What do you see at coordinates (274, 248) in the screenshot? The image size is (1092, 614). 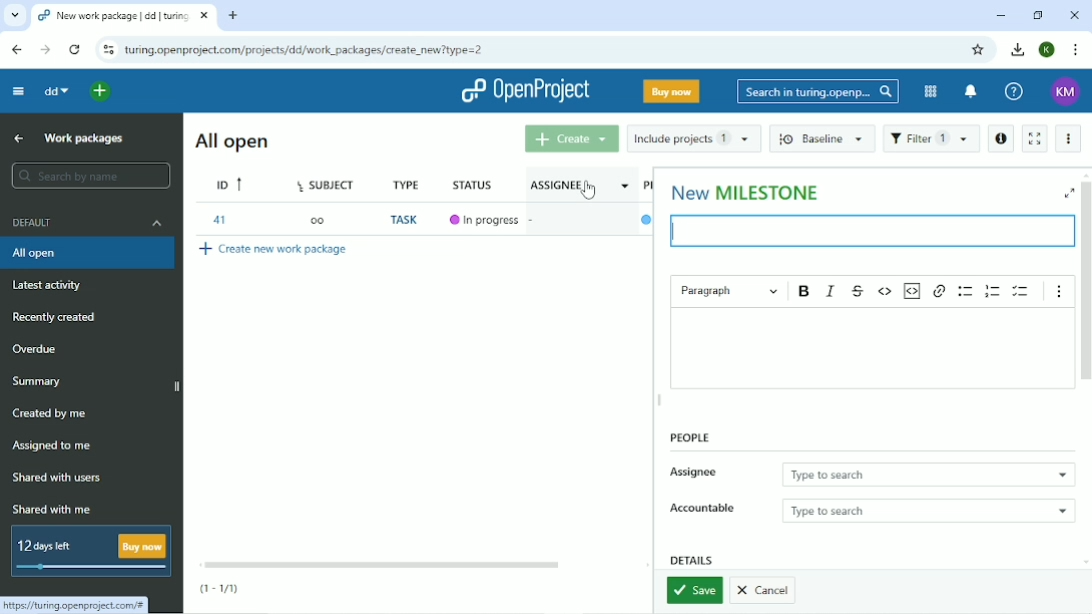 I see `Create new work package` at bounding box center [274, 248].